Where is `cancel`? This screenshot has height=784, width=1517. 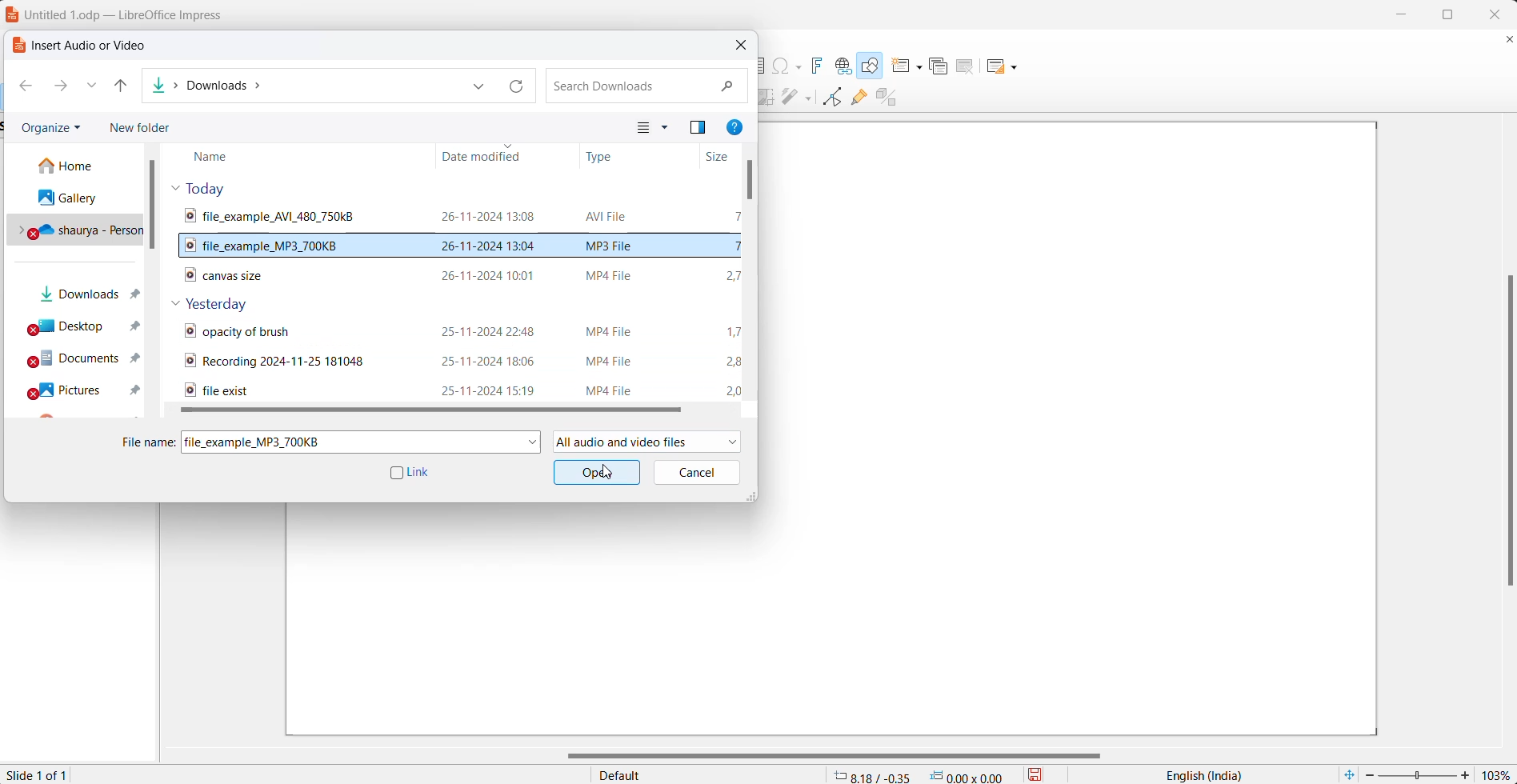 cancel is located at coordinates (698, 471).